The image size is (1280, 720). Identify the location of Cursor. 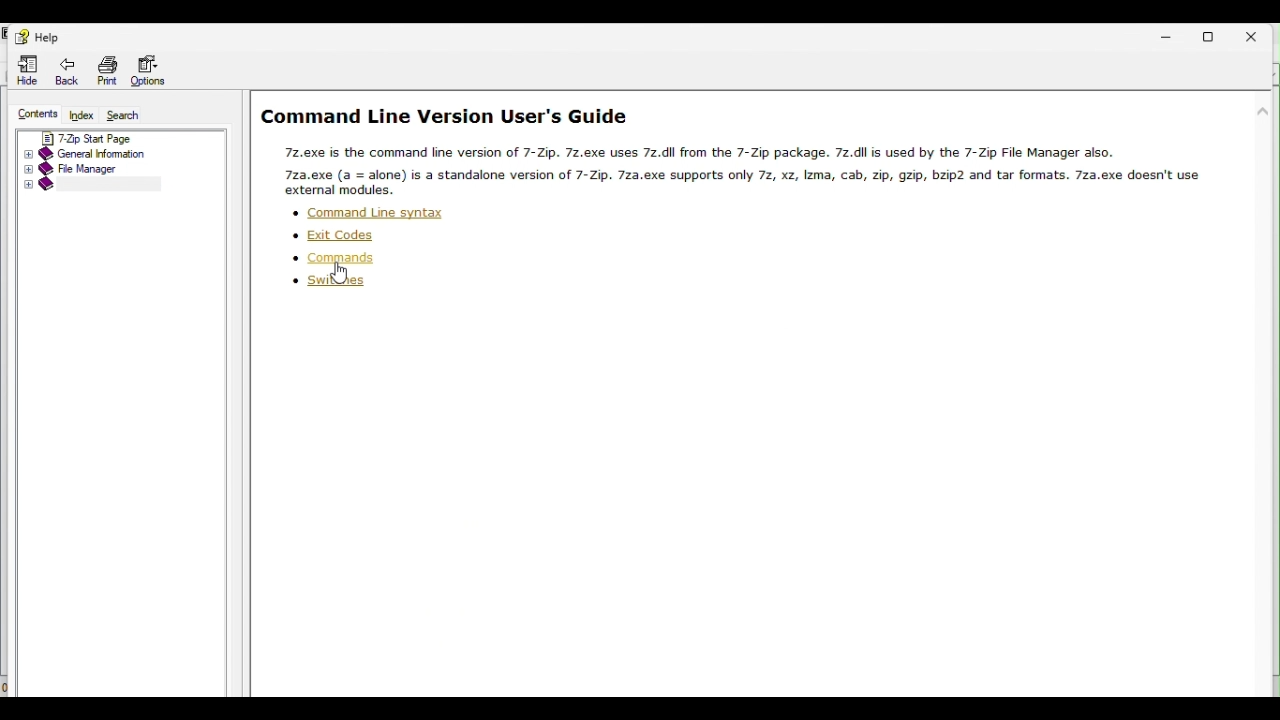
(342, 277).